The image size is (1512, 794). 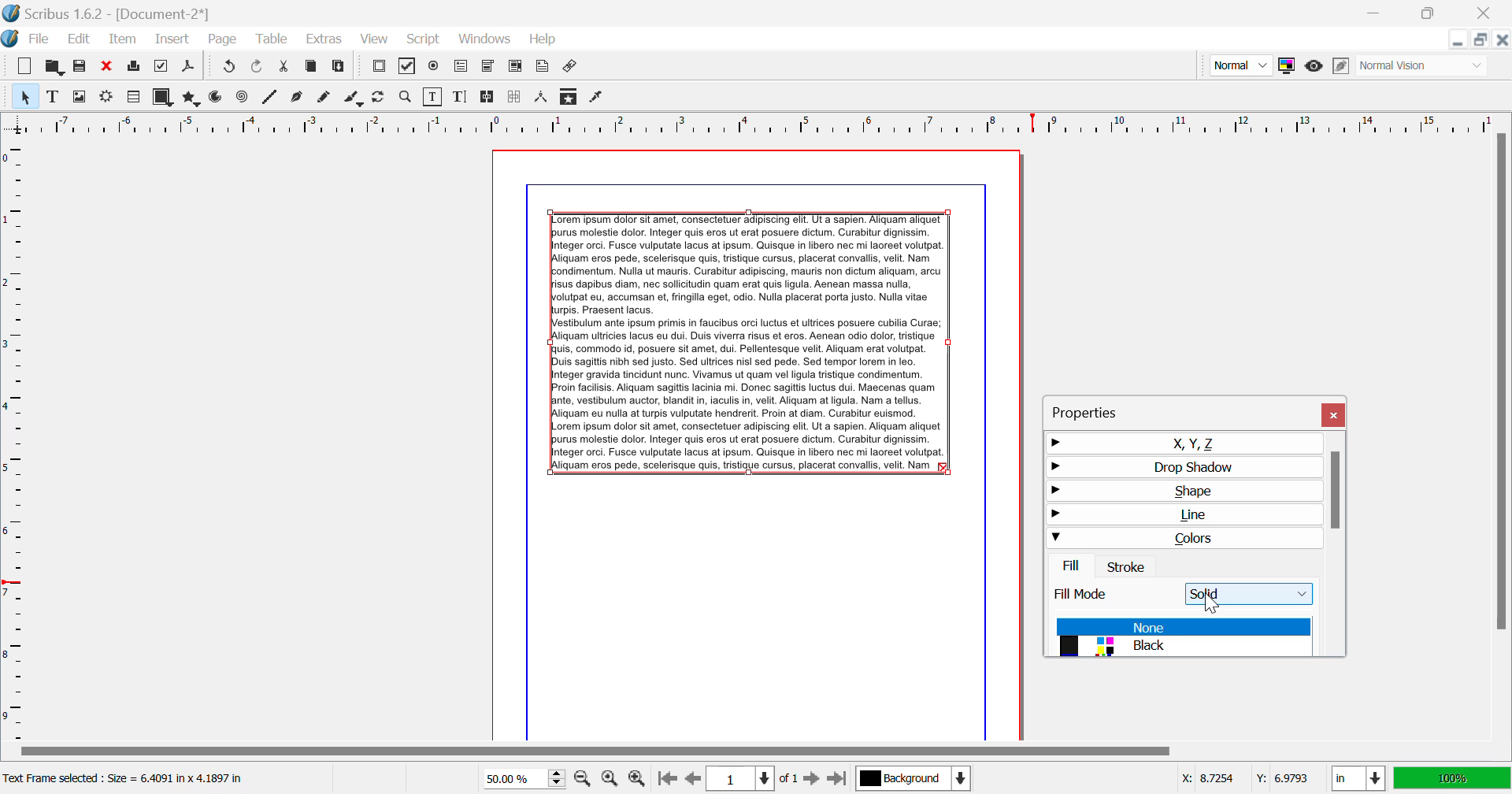 I want to click on Redo, so click(x=227, y=68).